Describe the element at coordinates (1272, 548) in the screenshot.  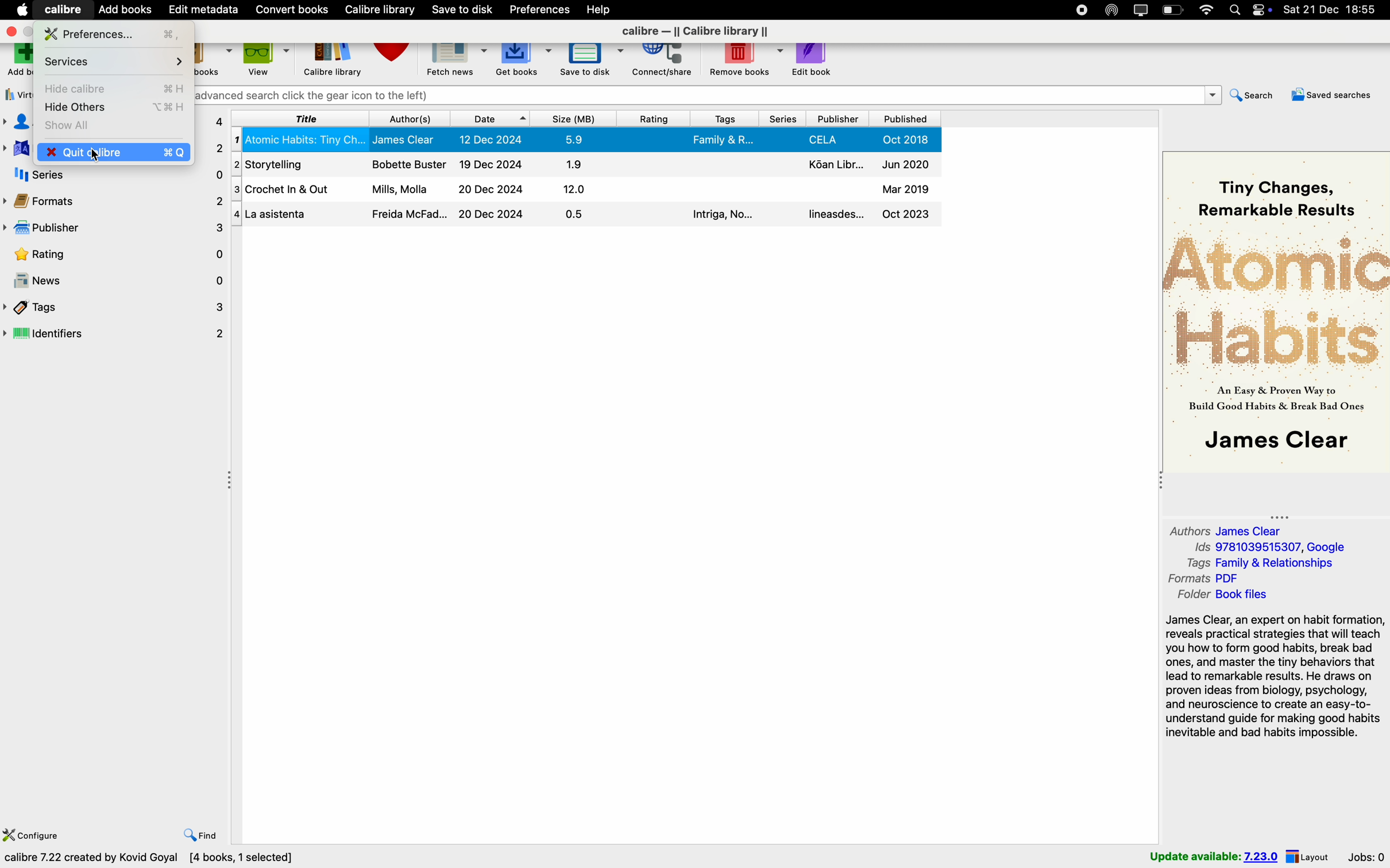
I see `Ids 9781039515307, Google` at that location.